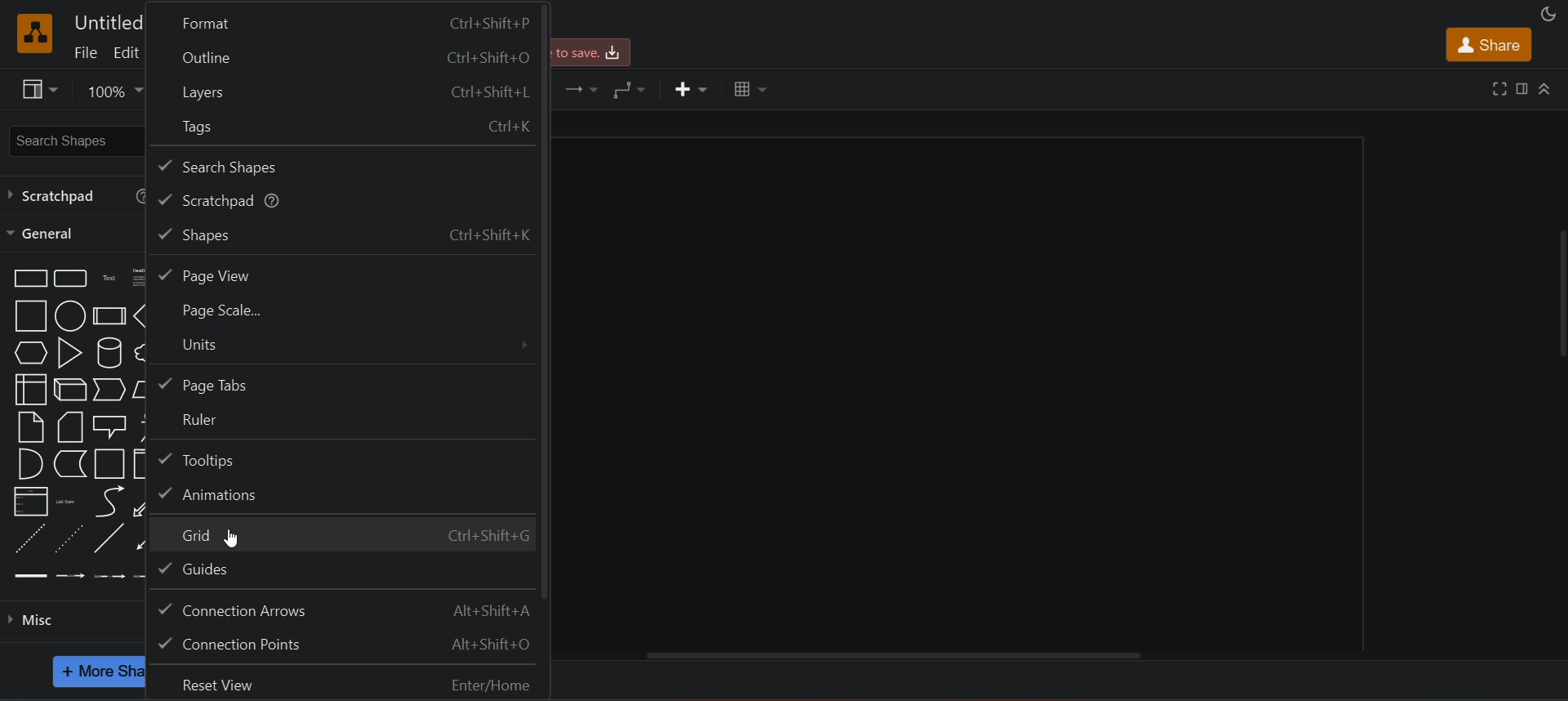 Image resolution: width=1568 pixels, height=701 pixels. Describe the element at coordinates (348, 92) in the screenshot. I see `layers` at that location.